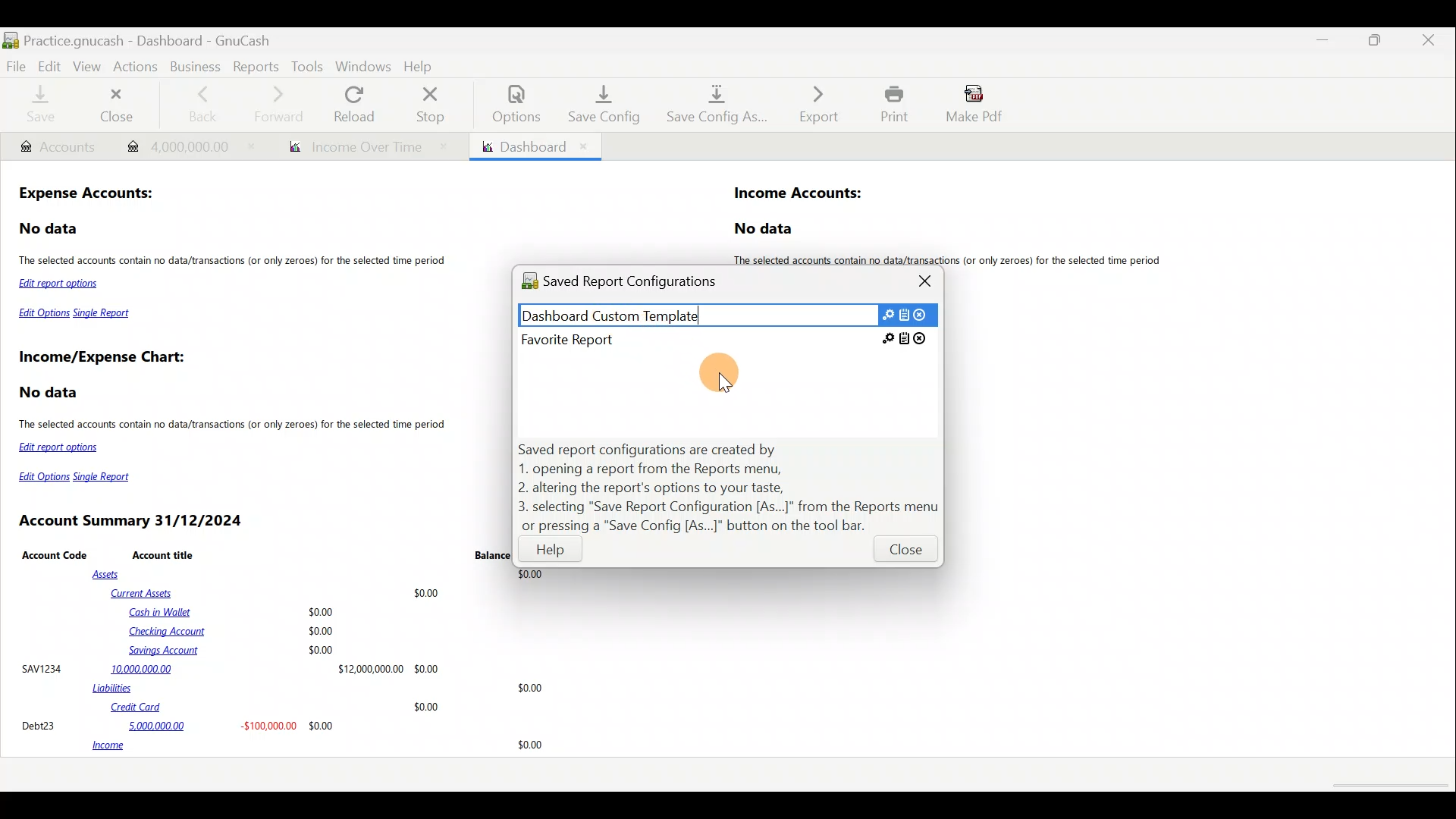 The image size is (1456, 819). I want to click on Actions, so click(139, 71).